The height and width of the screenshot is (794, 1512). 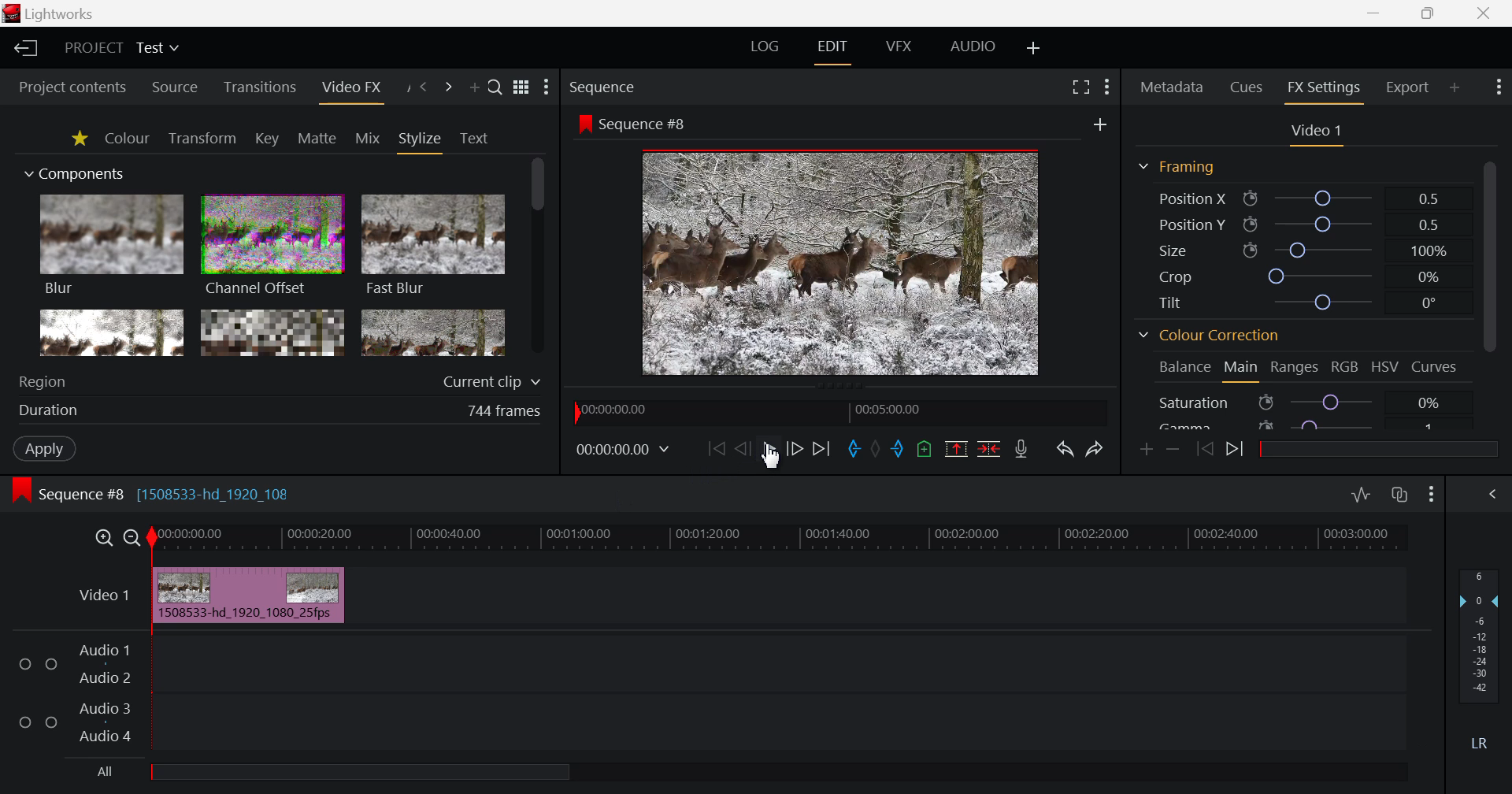 I want to click on LOG Layout, so click(x=765, y=47).